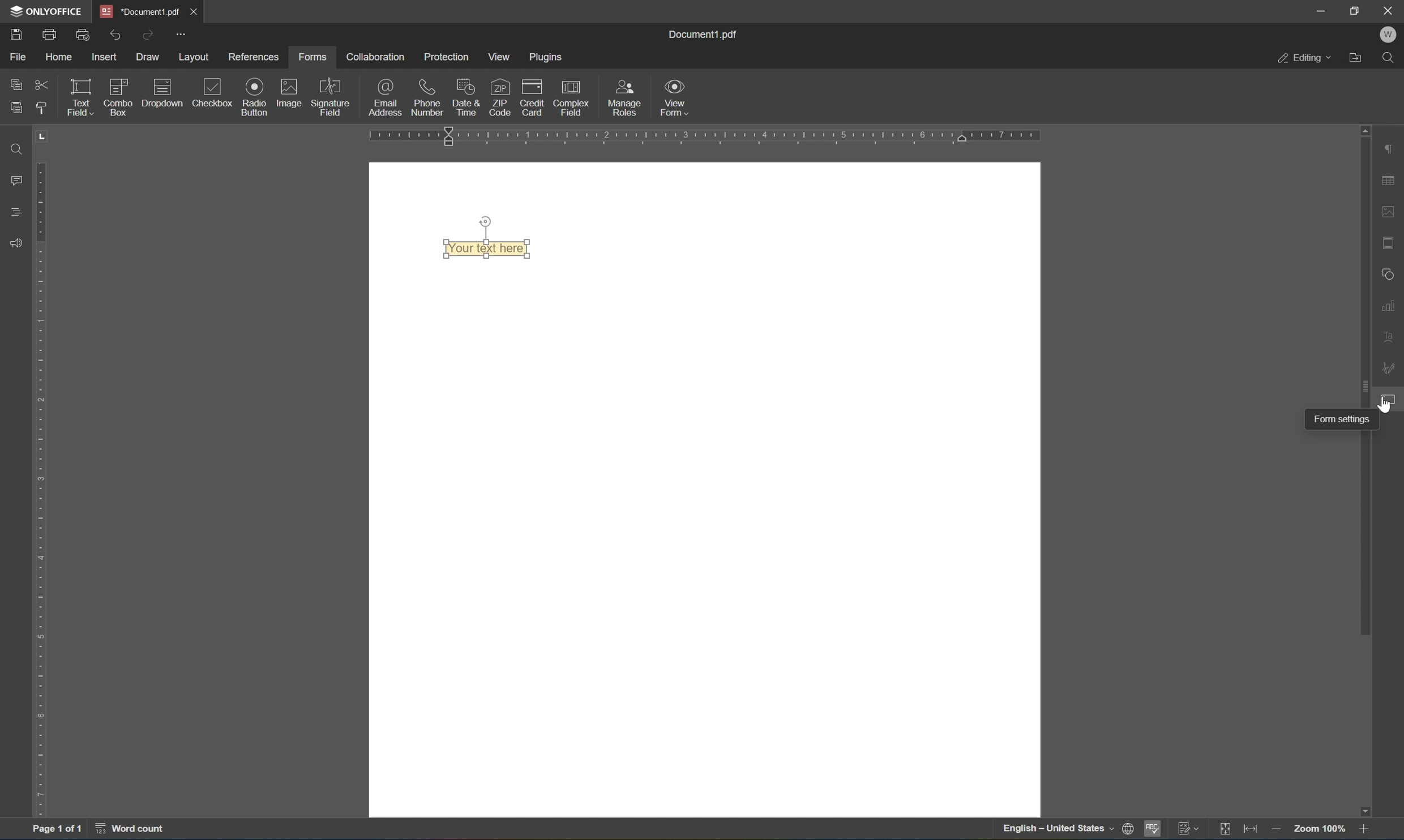 Image resolution: width=1404 pixels, height=840 pixels. Describe the element at coordinates (182, 31) in the screenshot. I see `customize quick access toolbar` at that location.